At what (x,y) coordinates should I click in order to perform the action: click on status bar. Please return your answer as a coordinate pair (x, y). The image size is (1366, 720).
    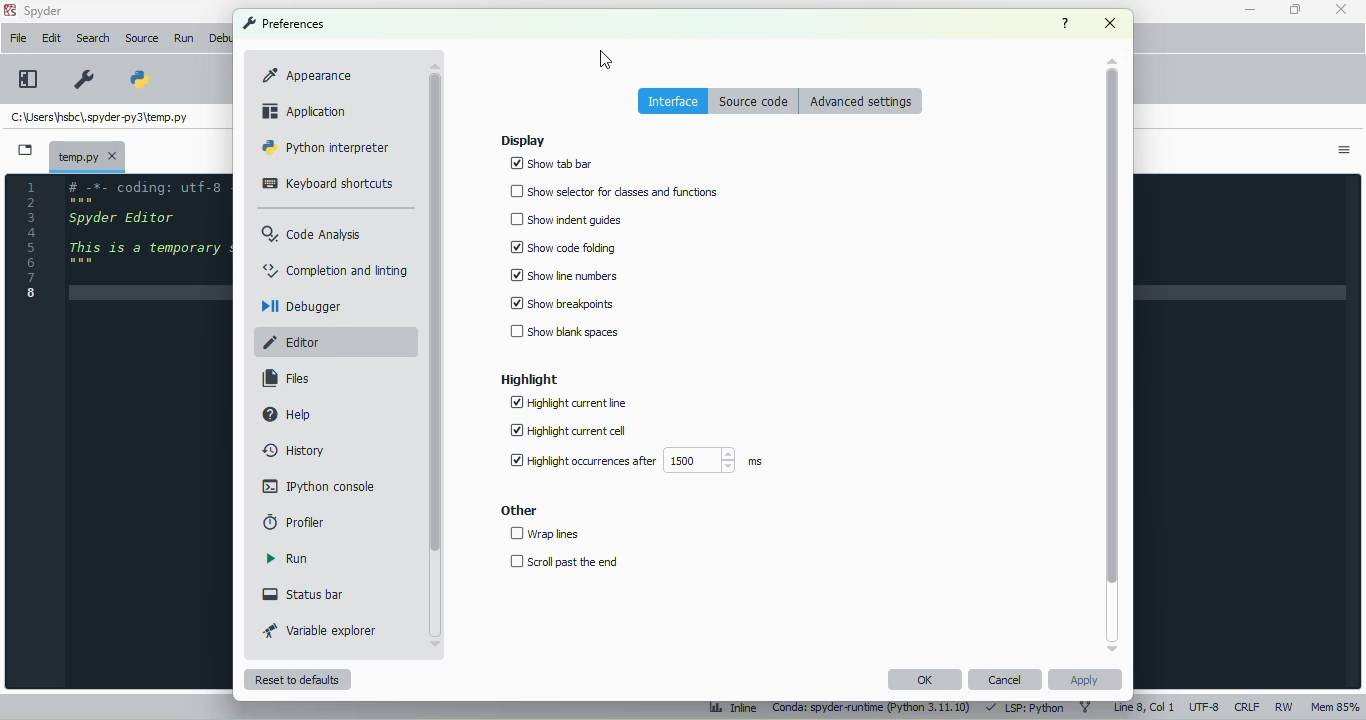
    Looking at the image, I should click on (306, 594).